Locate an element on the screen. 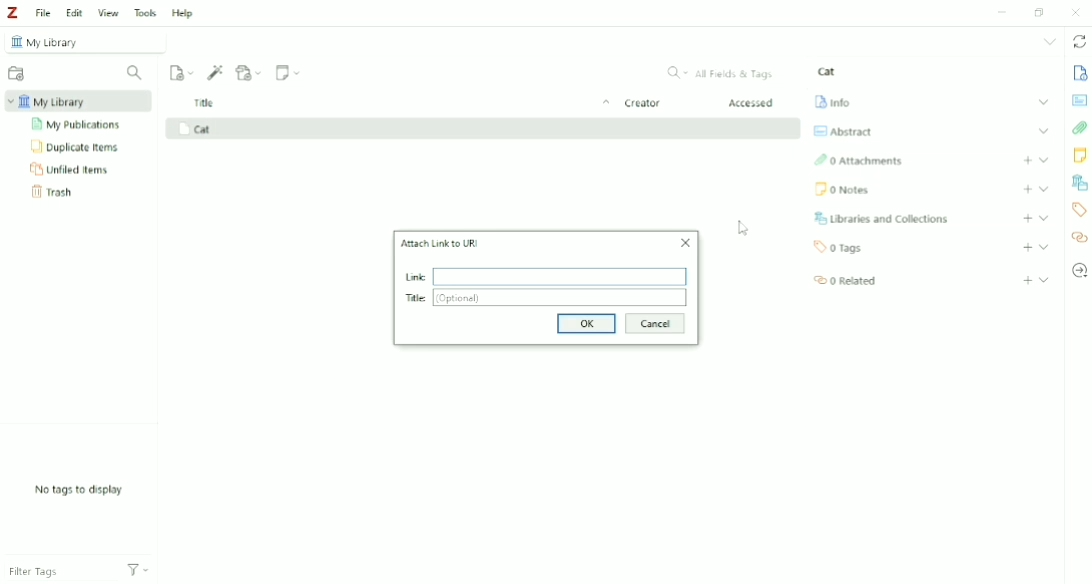 This screenshot has width=1092, height=584. No tags to display is located at coordinates (81, 490).